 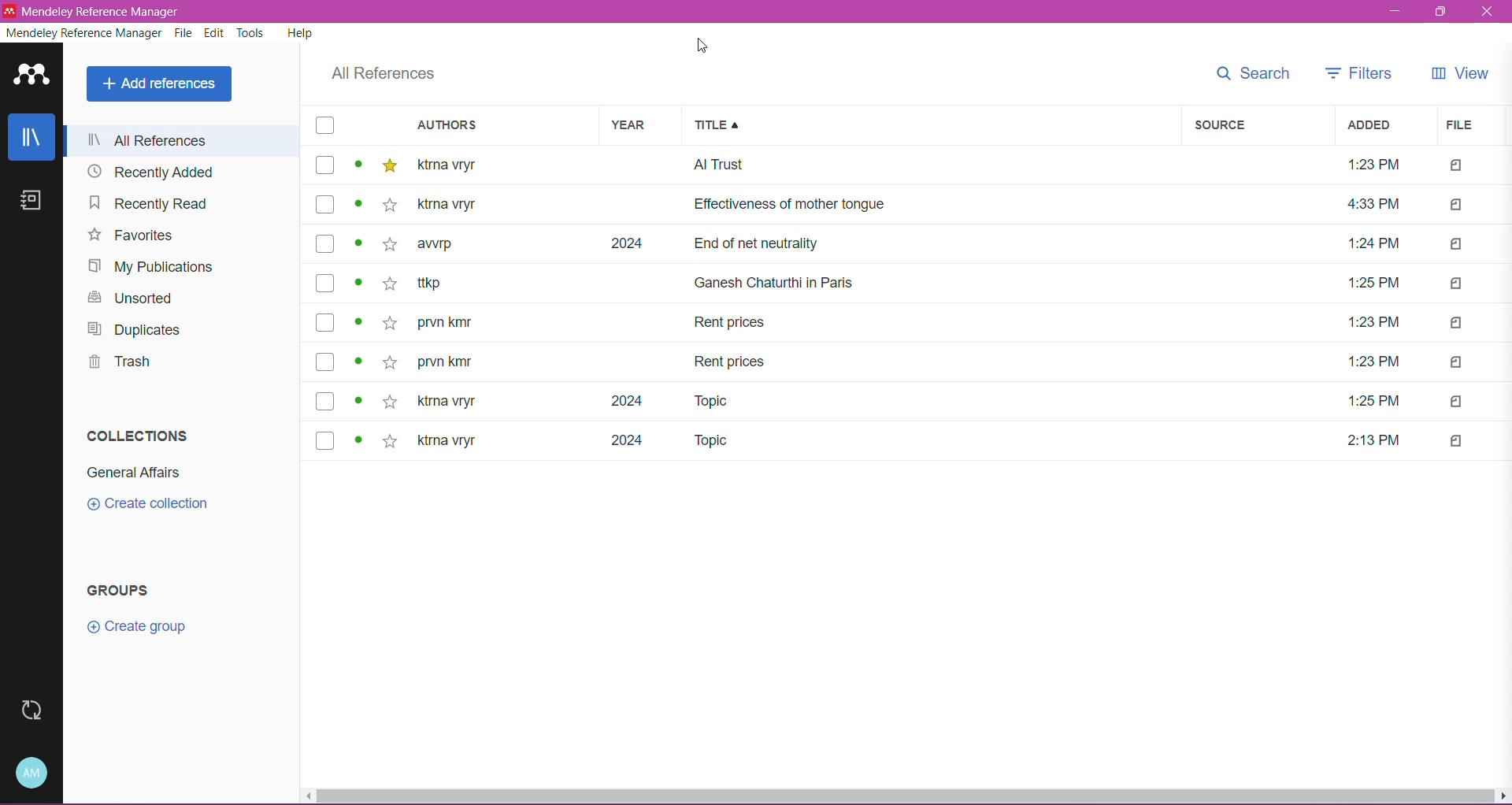 What do you see at coordinates (392, 303) in the screenshot?
I see `Click to Add to Favorites` at bounding box center [392, 303].